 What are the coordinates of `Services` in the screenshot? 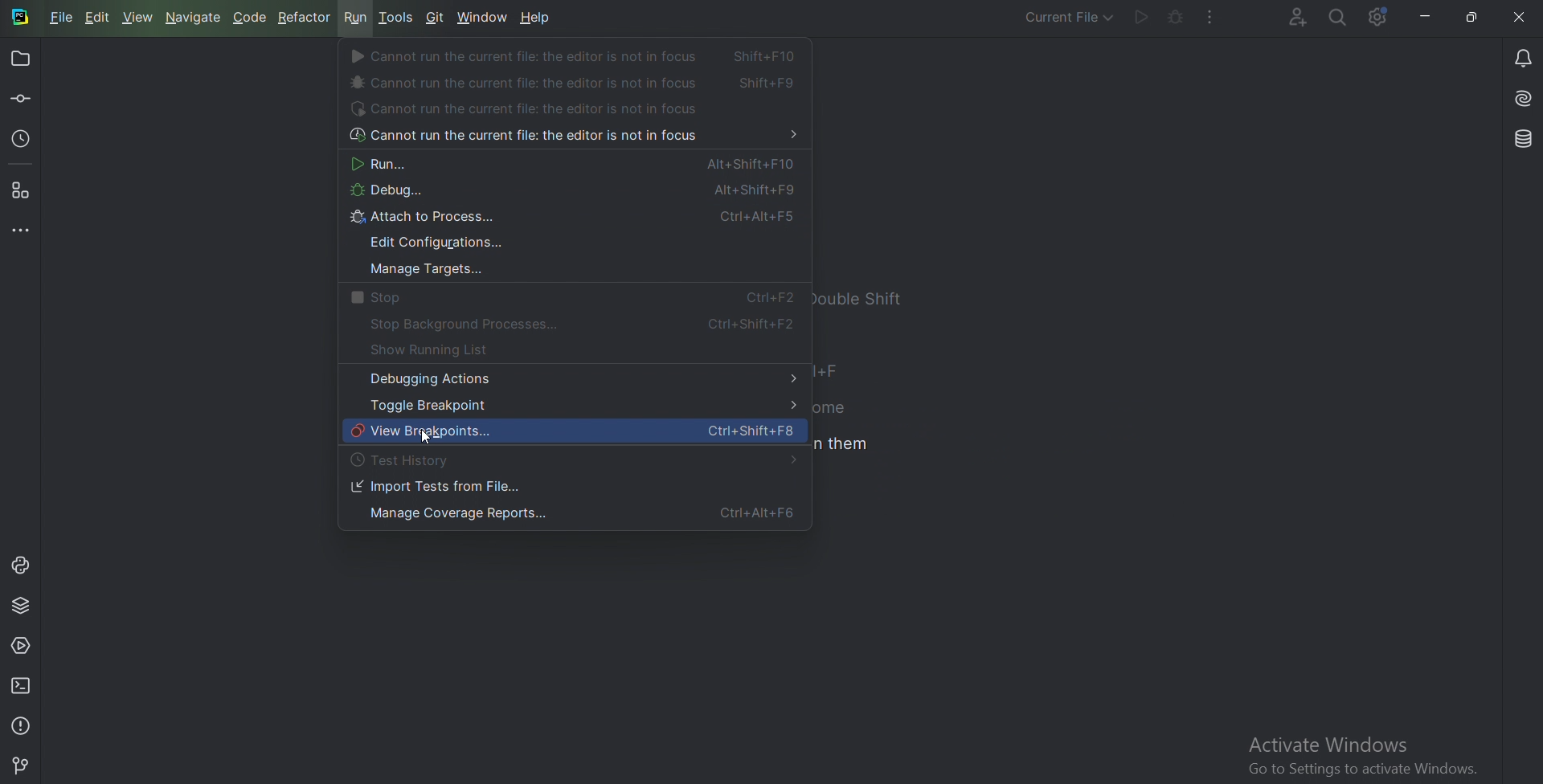 It's located at (22, 648).